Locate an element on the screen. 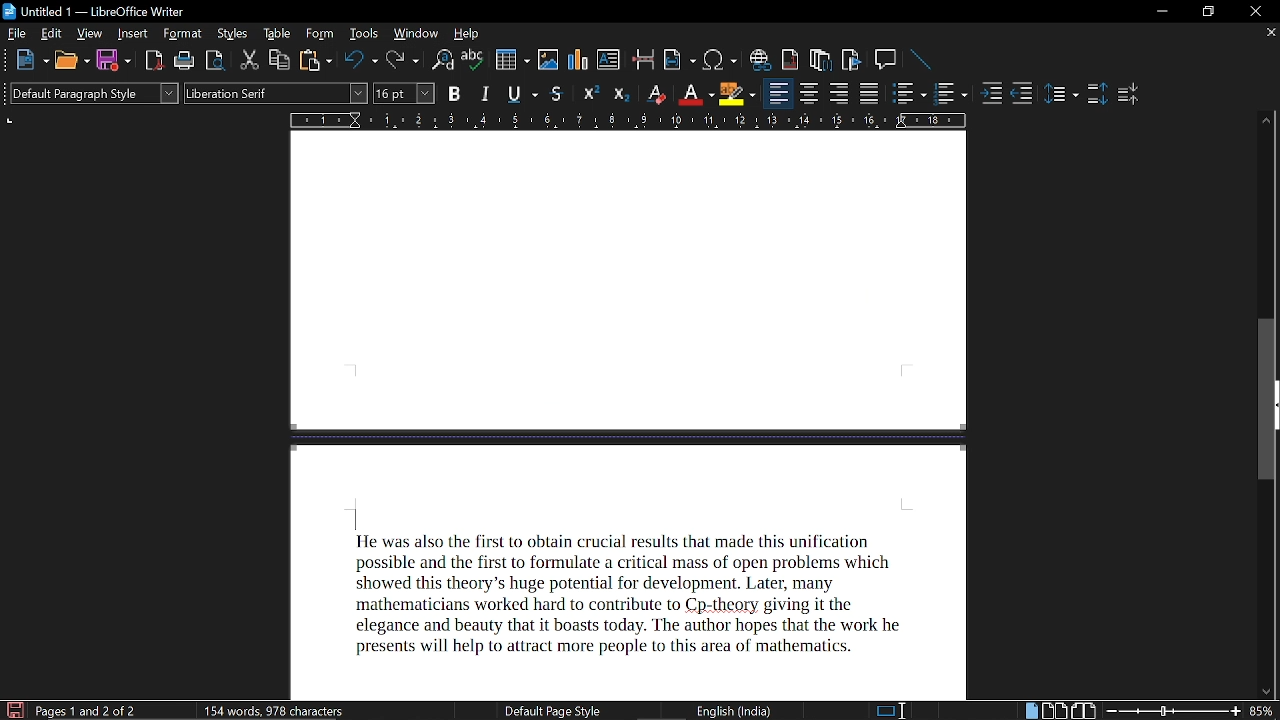 Image resolution: width=1280 pixels, height=720 pixels. Erasre is located at coordinates (654, 93).